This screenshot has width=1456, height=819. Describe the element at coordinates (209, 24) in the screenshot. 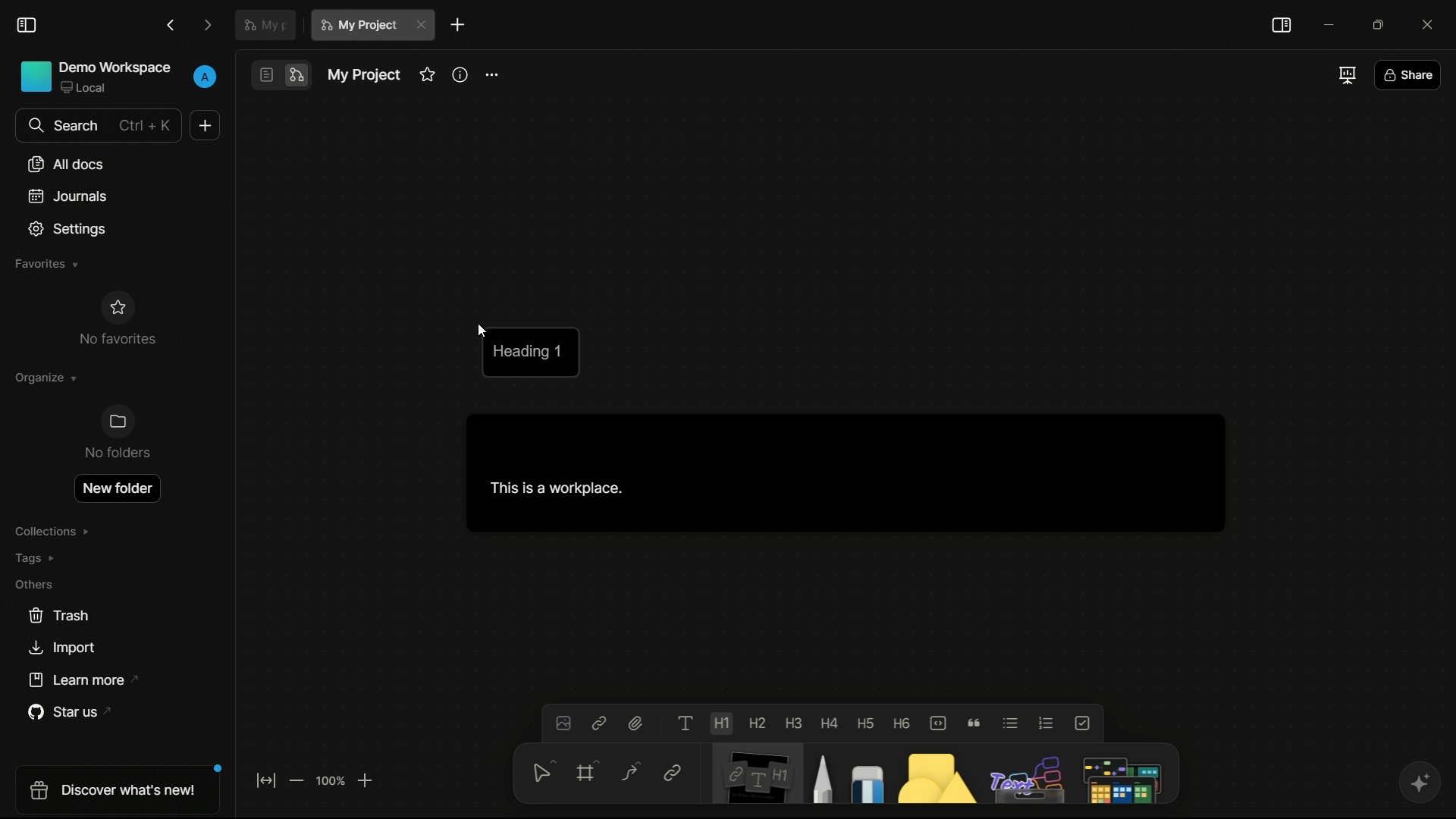

I see `forward` at that location.